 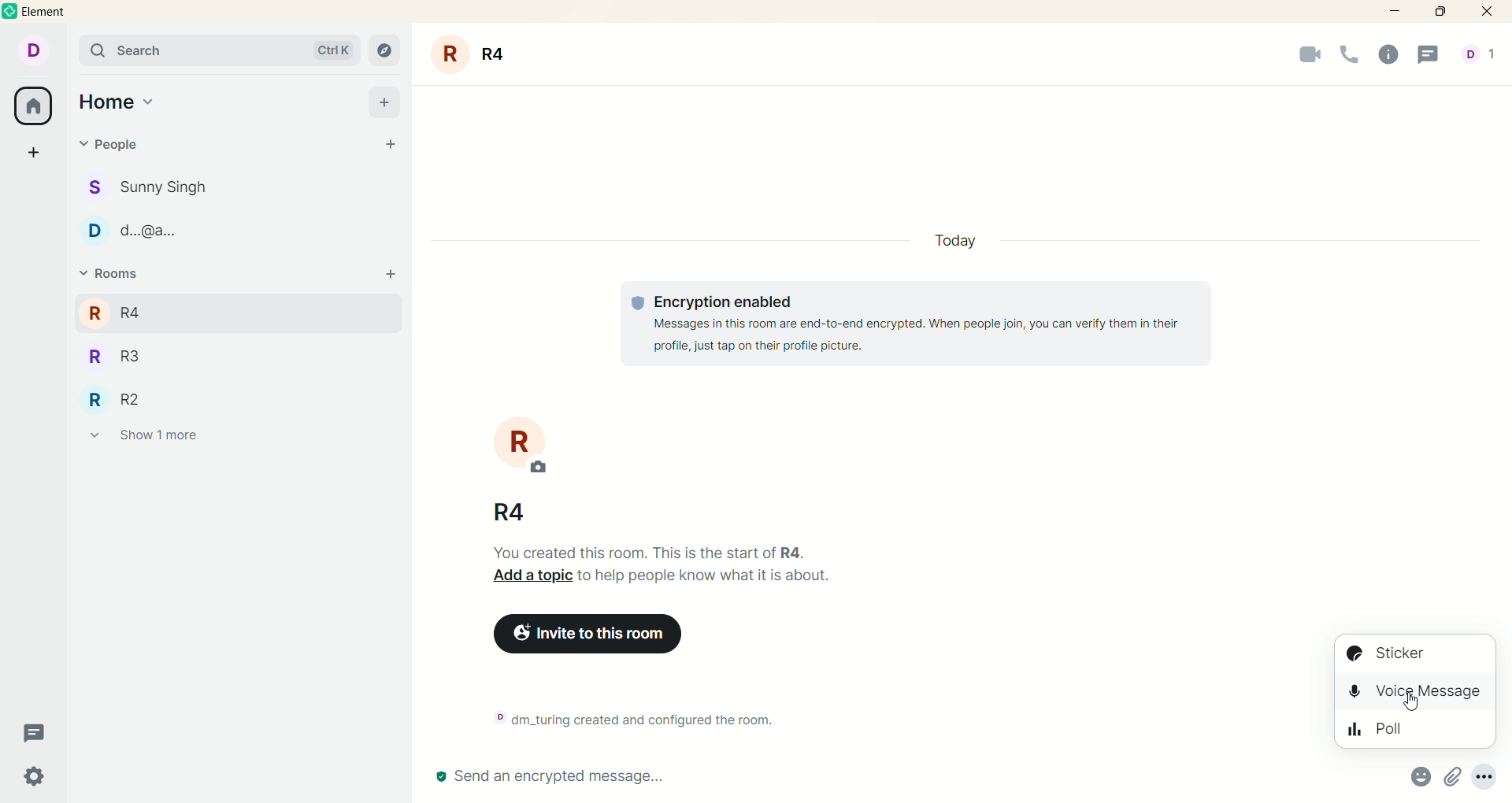 What do you see at coordinates (643, 717) in the screenshot?
I see `text` at bounding box center [643, 717].